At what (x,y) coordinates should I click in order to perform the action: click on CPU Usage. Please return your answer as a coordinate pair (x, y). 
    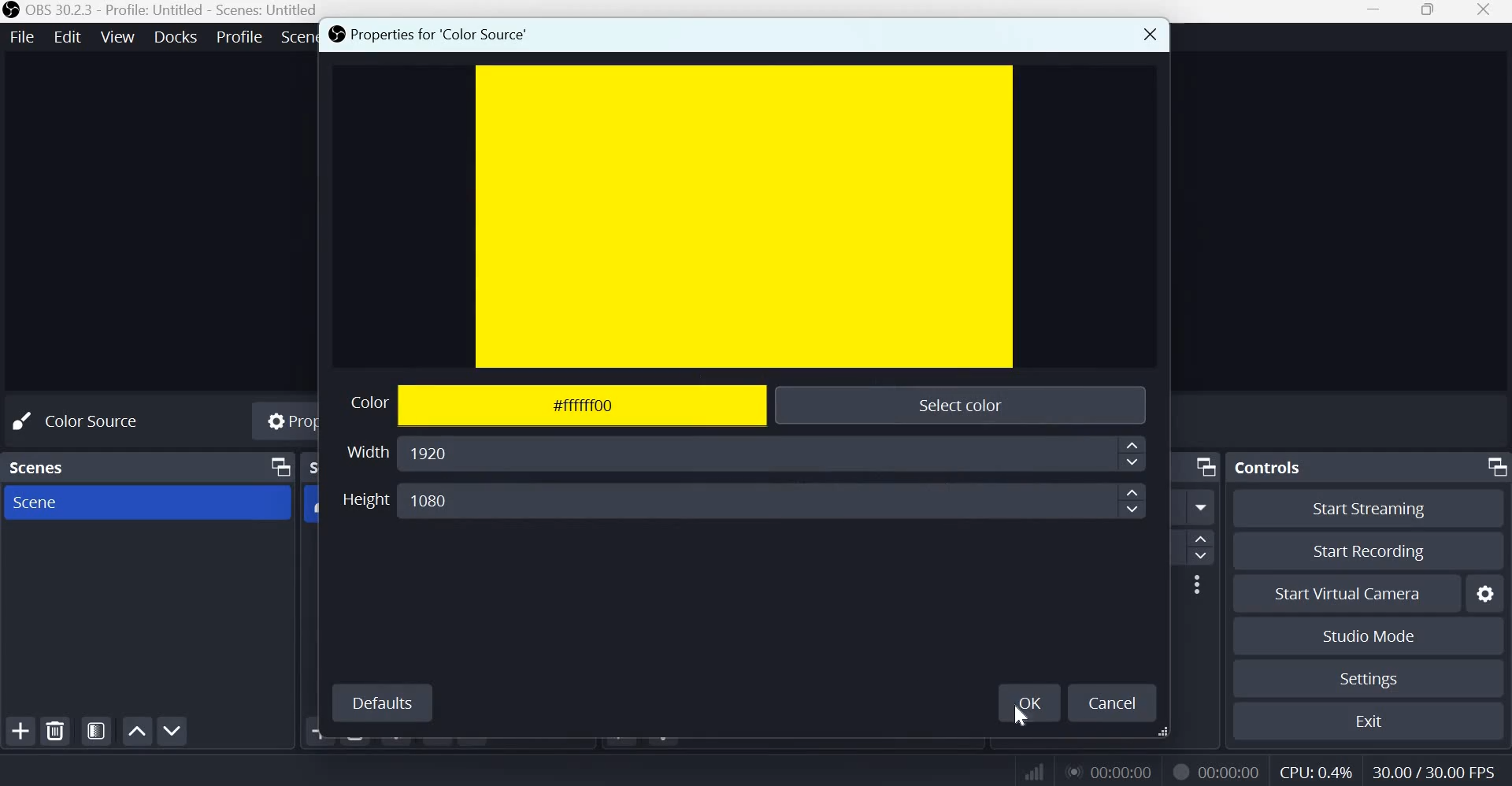
    Looking at the image, I should click on (1314, 773).